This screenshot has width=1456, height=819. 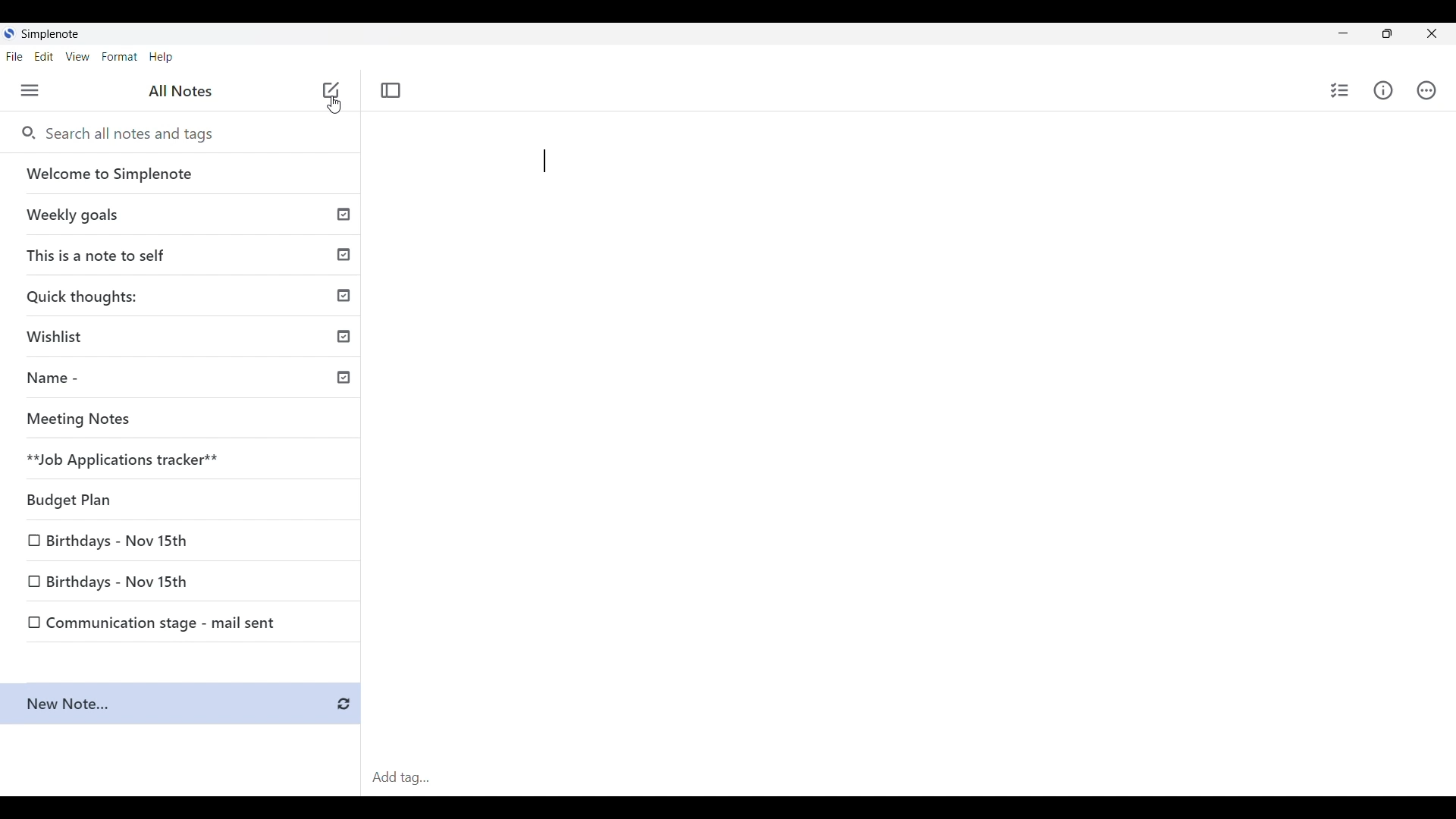 I want to click on Name -, so click(x=187, y=380).